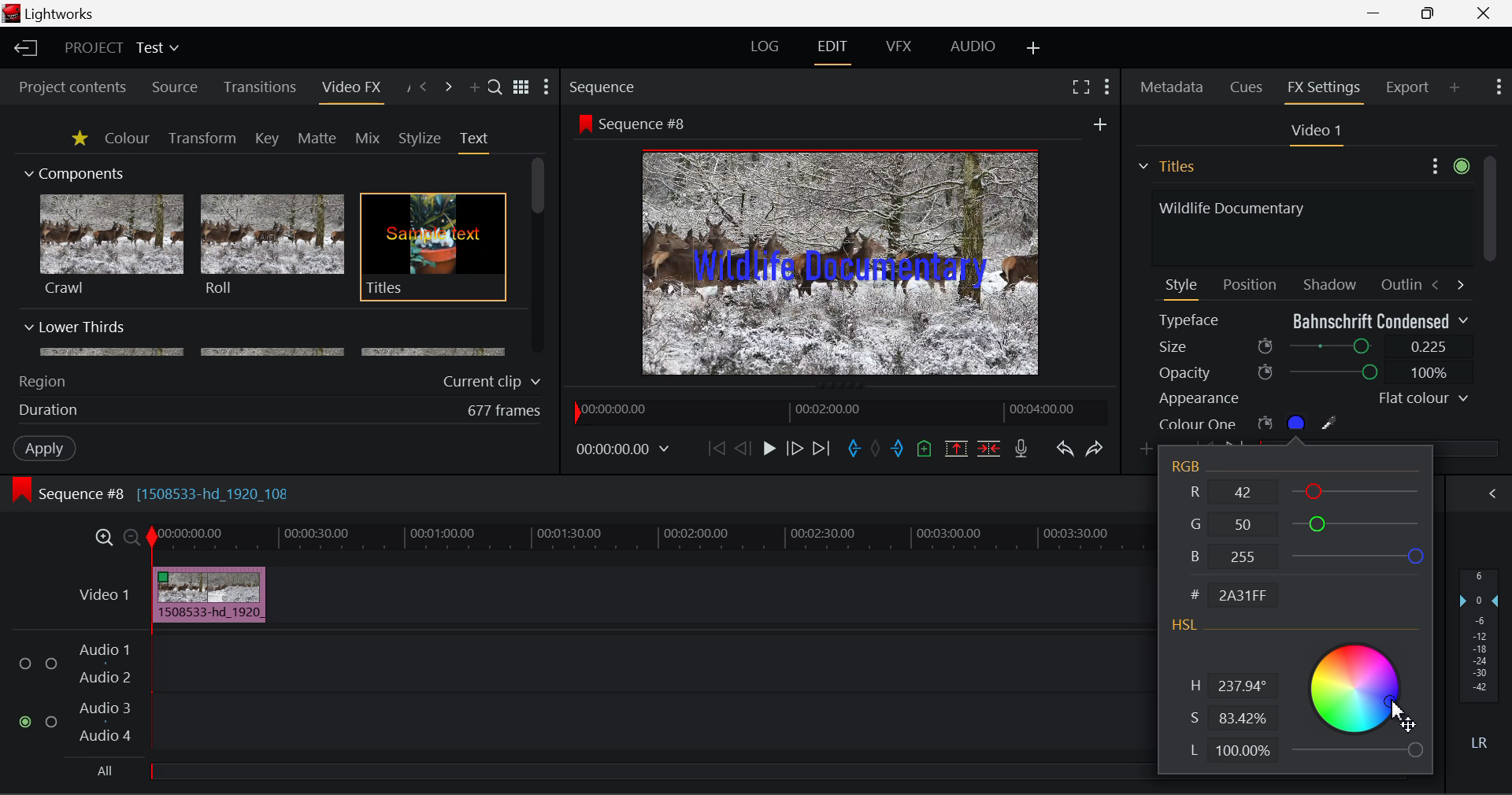  What do you see at coordinates (1399, 698) in the screenshot?
I see `DRAG_TO Cursor Position` at bounding box center [1399, 698].